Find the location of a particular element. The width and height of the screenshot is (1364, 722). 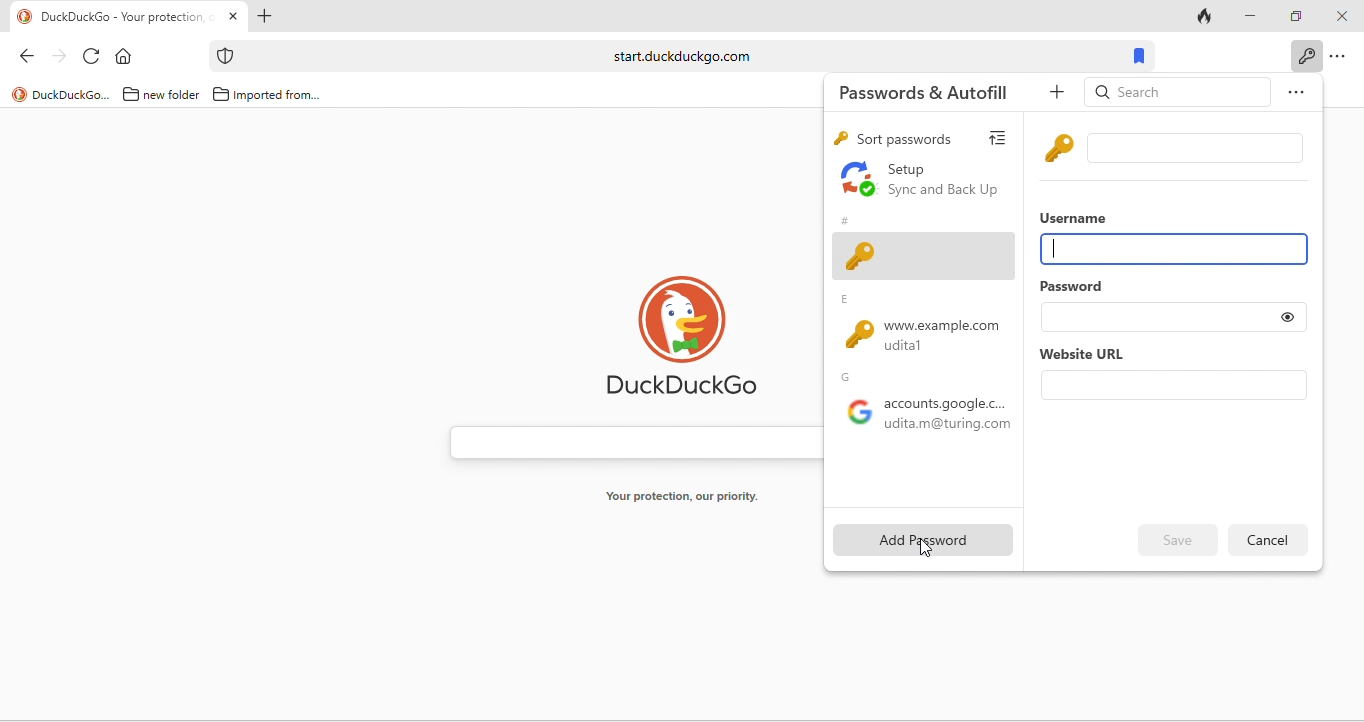

reload is located at coordinates (93, 56).